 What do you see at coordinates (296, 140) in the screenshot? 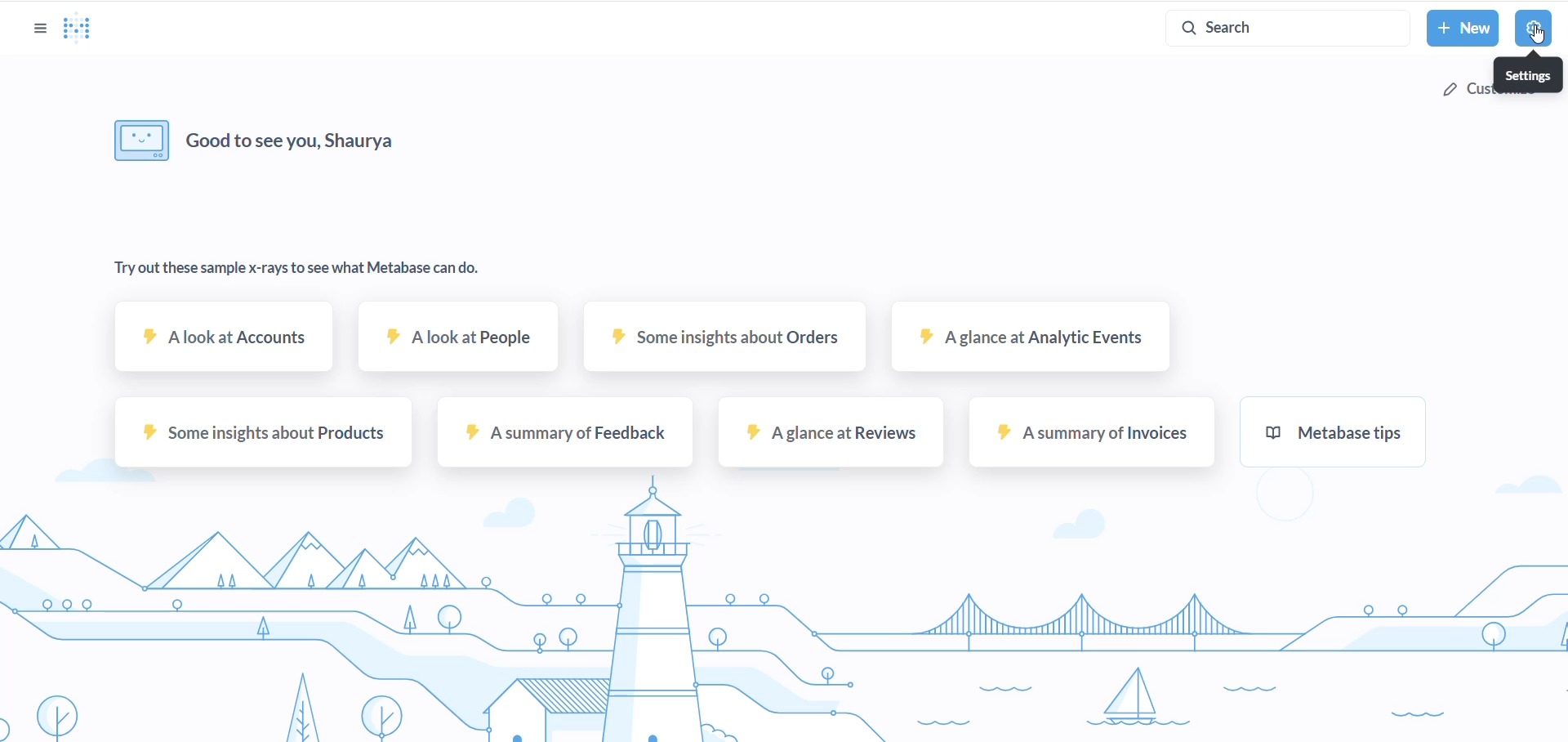
I see `Good to see you, Shaurya ` at bounding box center [296, 140].